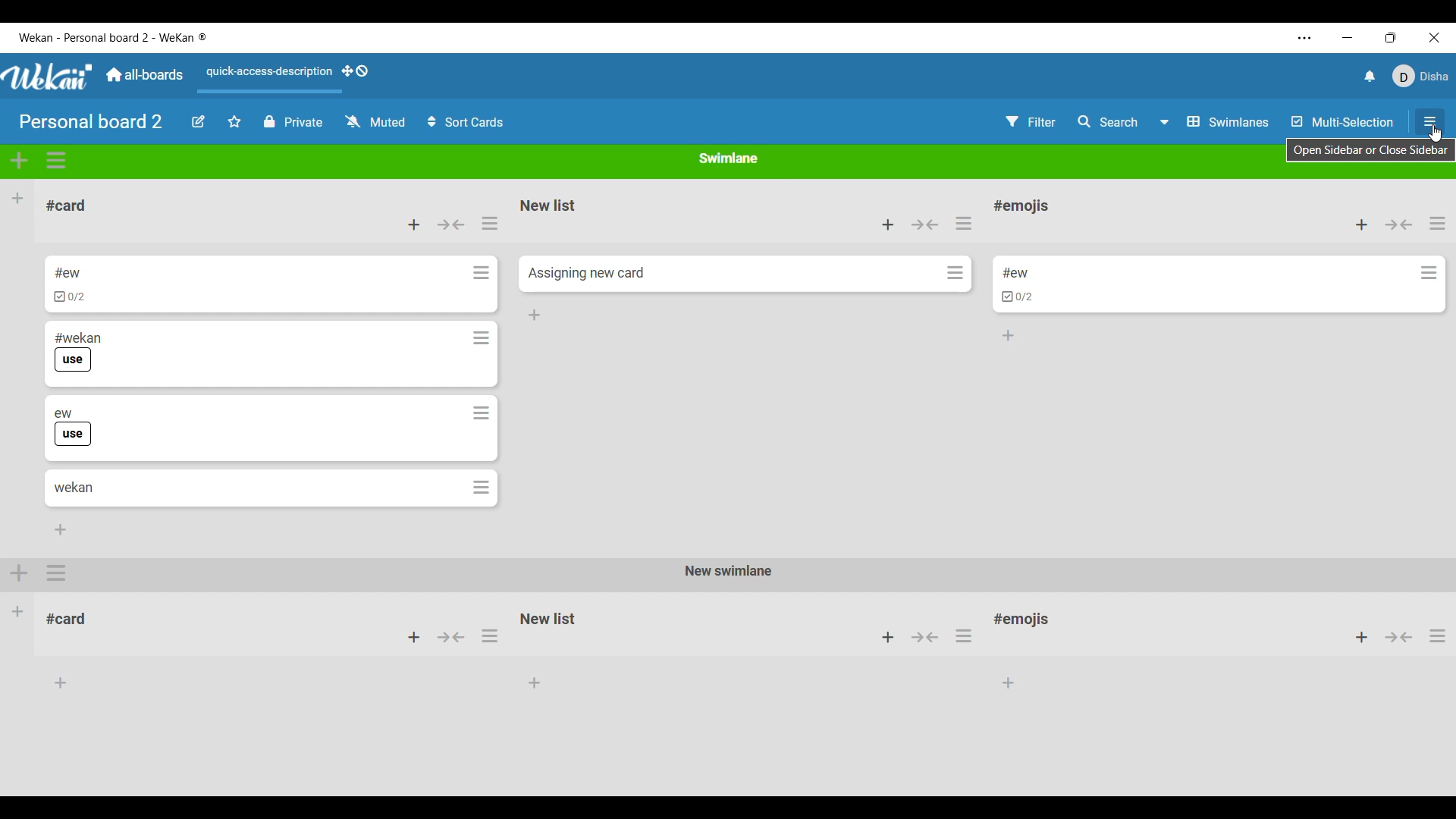 Image resolution: width=1456 pixels, height=819 pixels. What do you see at coordinates (586, 273) in the screenshot?
I see `Card name` at bounding box center [586, 273].